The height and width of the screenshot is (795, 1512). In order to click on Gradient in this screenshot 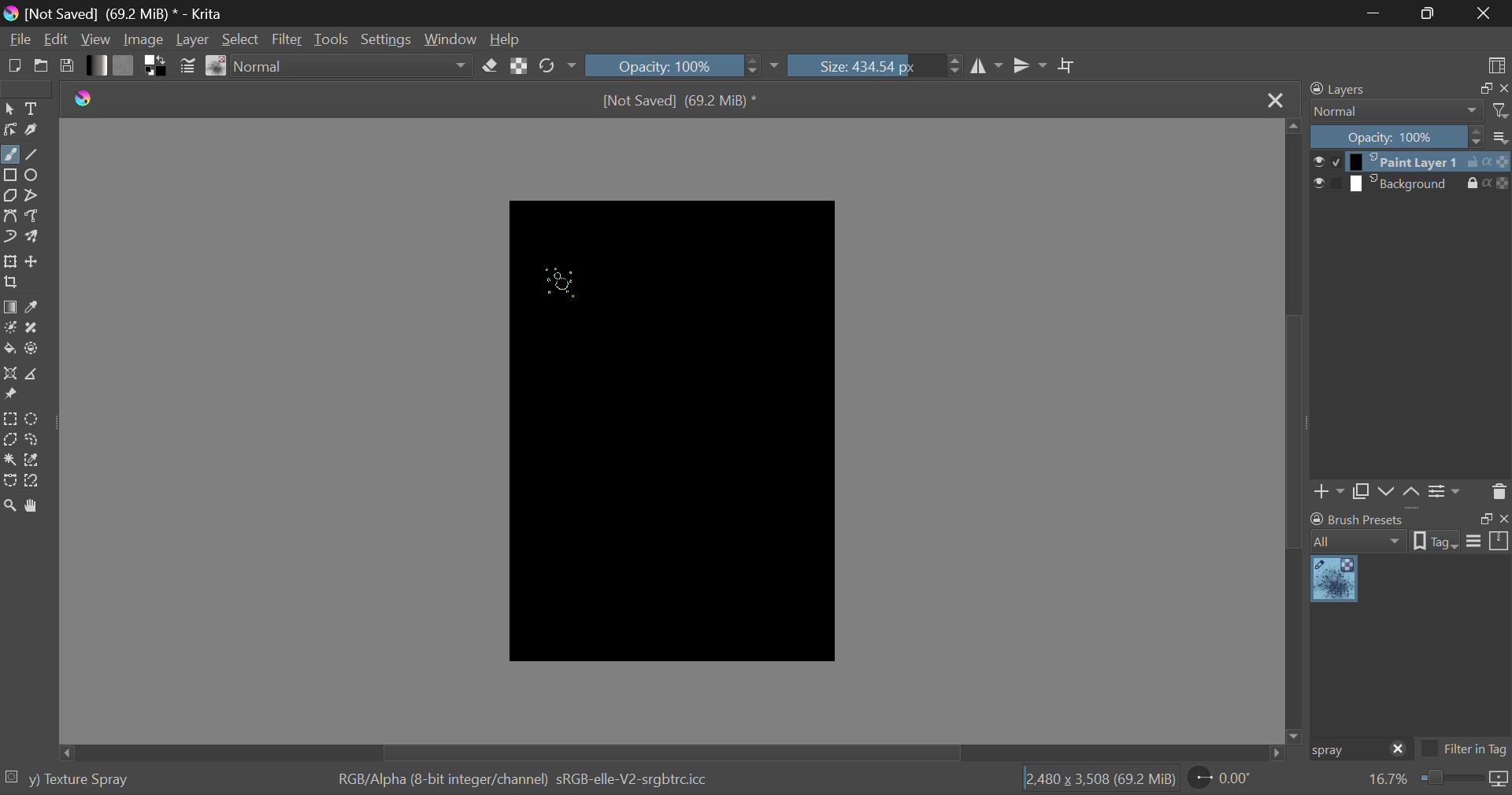, I will do `click(98, 65)`.